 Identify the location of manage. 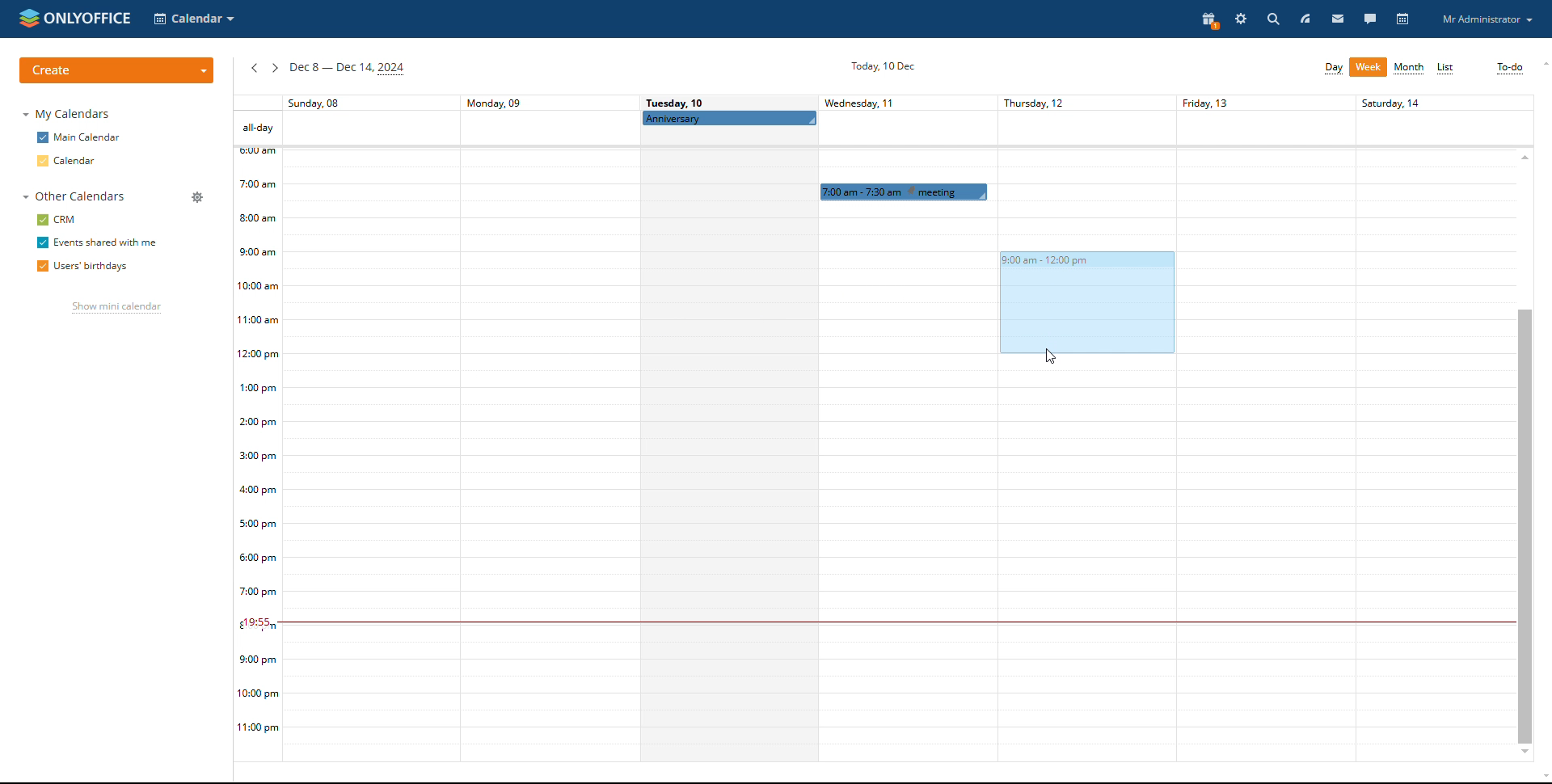
(198, 197).